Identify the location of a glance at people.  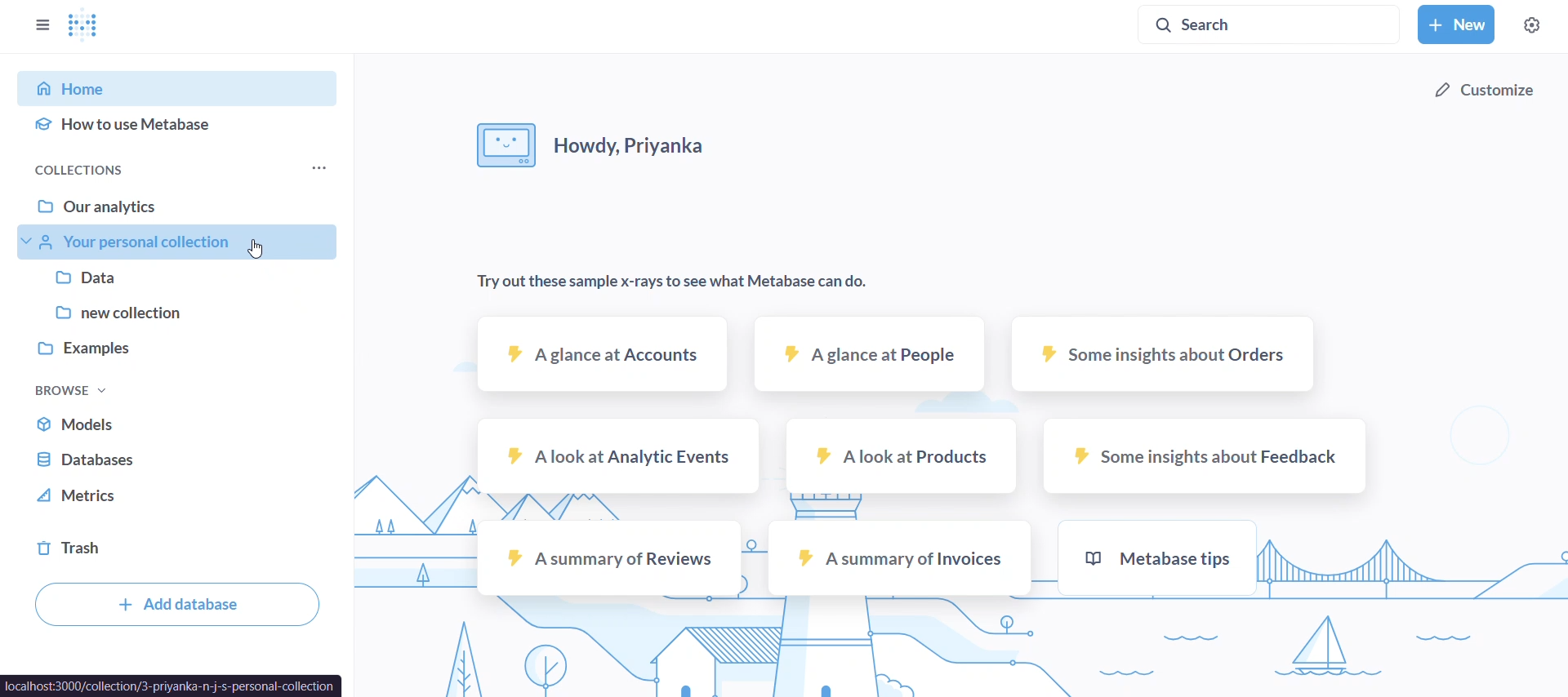
(867, 353).